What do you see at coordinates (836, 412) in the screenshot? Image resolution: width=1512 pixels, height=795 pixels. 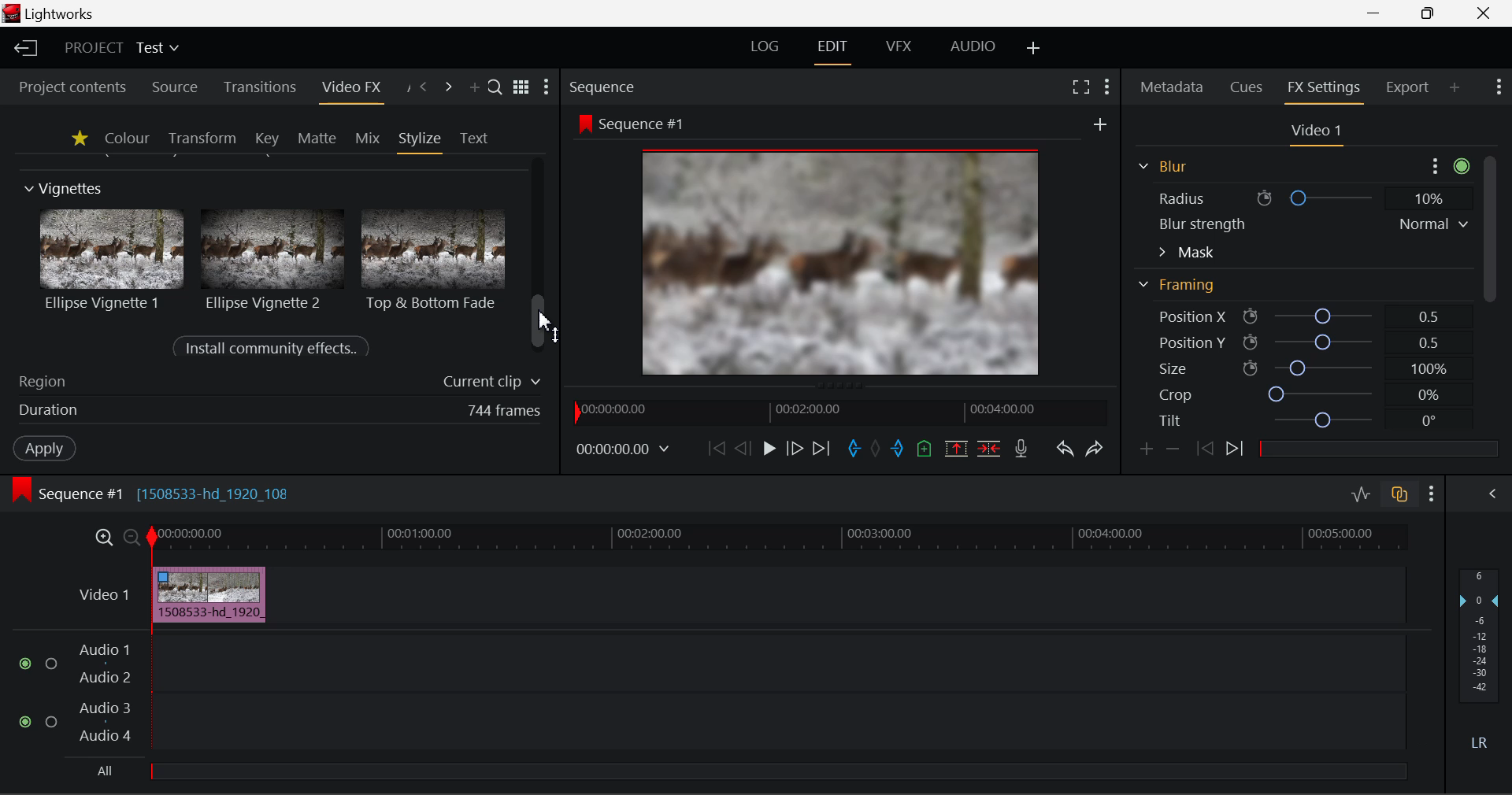 I see `Project Timeline Navigator` at bounding box center [836, 412].